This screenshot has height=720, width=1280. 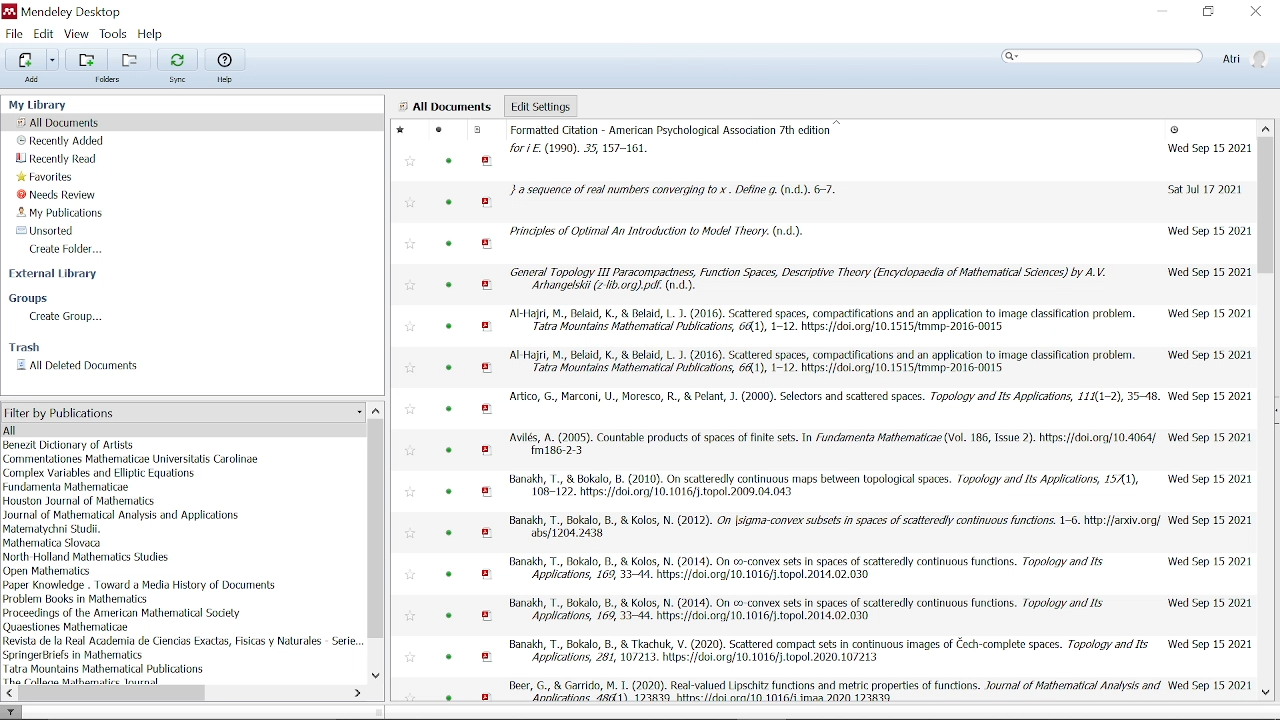 What do you see at coordinates (70, 445) in the screenshot?
I see `author` at bounding box center [70, 445].